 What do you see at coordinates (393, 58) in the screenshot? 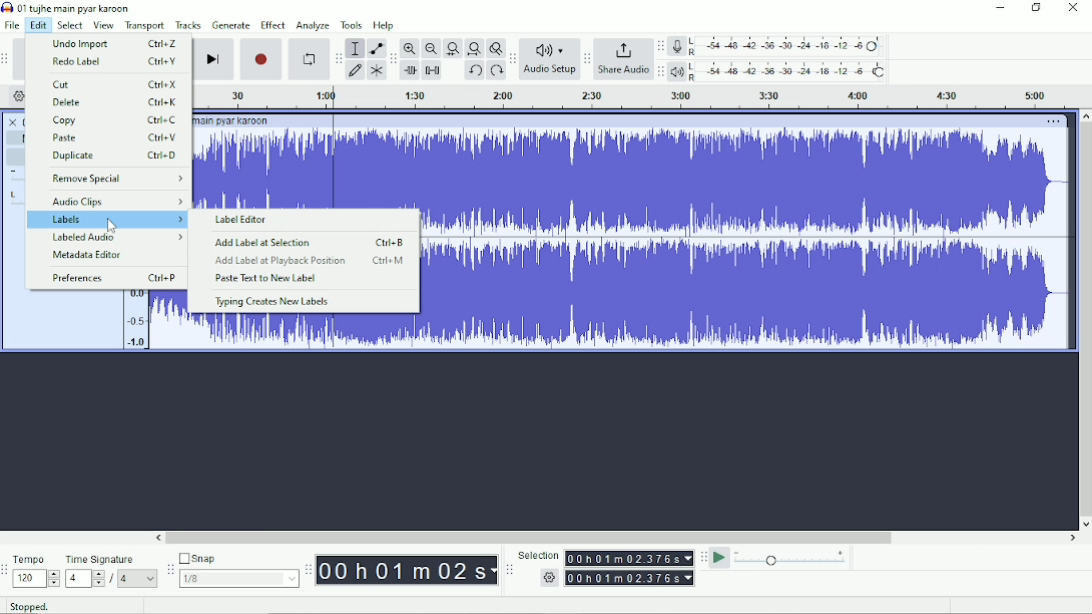
I see `Audacity edit toolbar` at bounding box center [393, 58].